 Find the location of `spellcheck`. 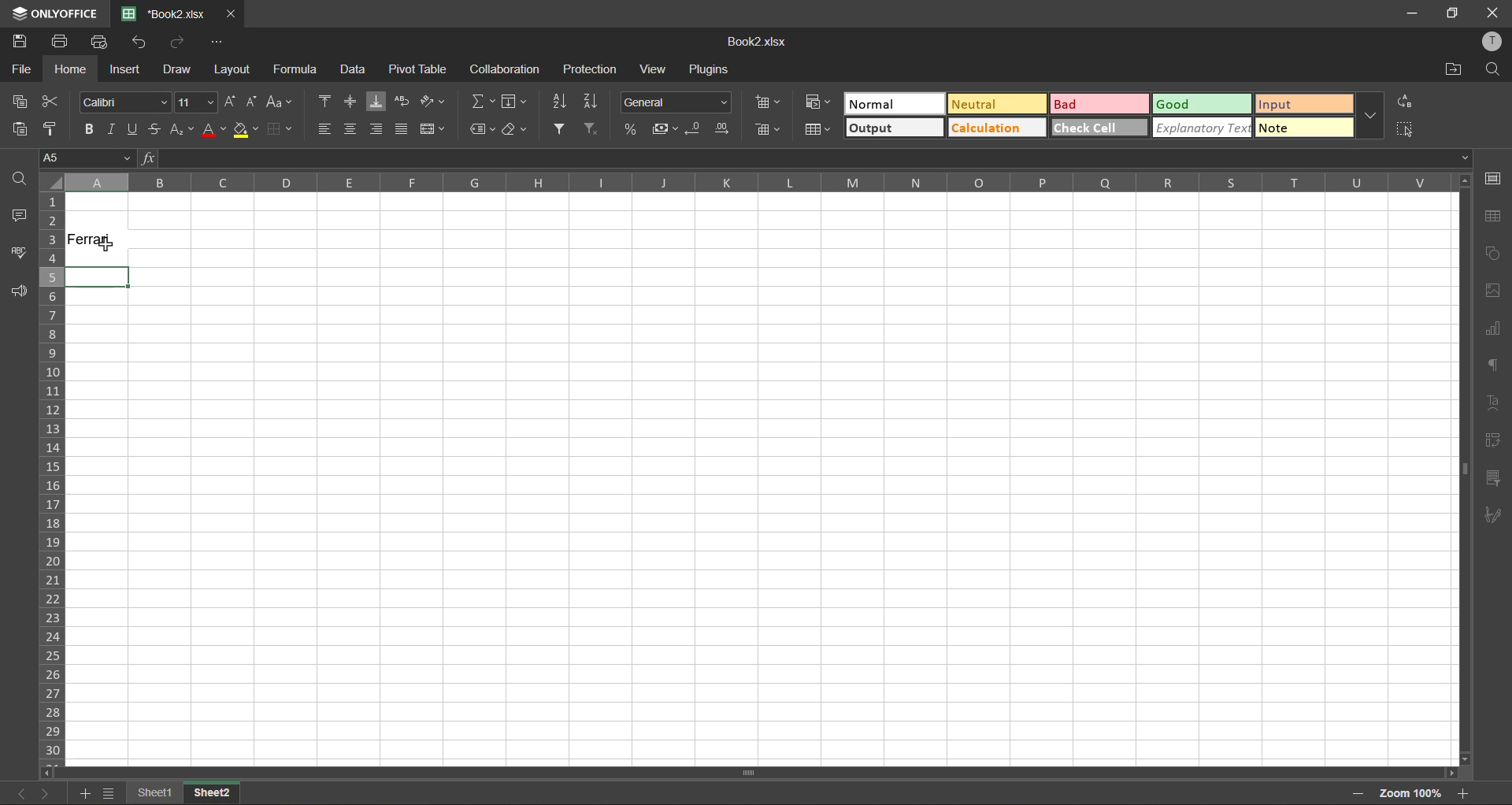

spellcheck is located at coordinates (19, 253).